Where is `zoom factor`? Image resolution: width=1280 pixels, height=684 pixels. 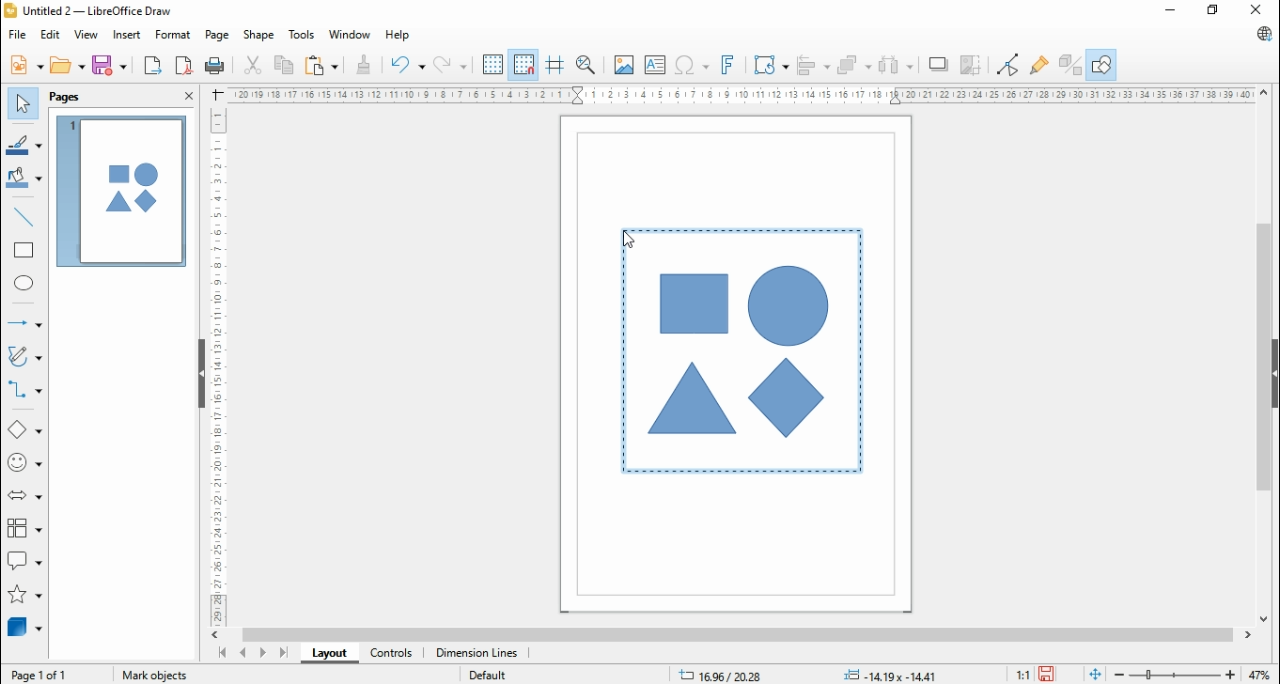 zoom factor is located at coordinates (1260, 673).